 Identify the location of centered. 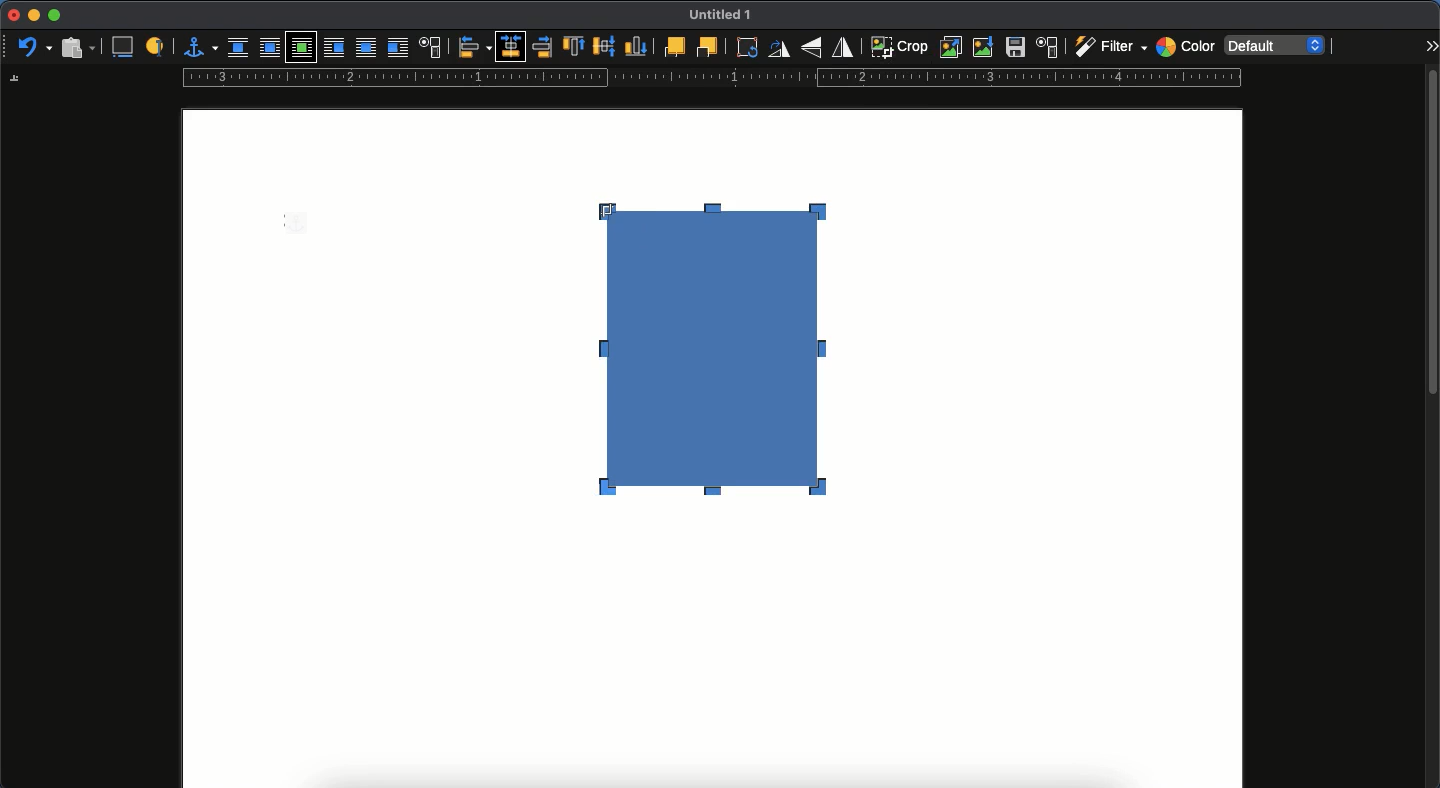
(512, 47).